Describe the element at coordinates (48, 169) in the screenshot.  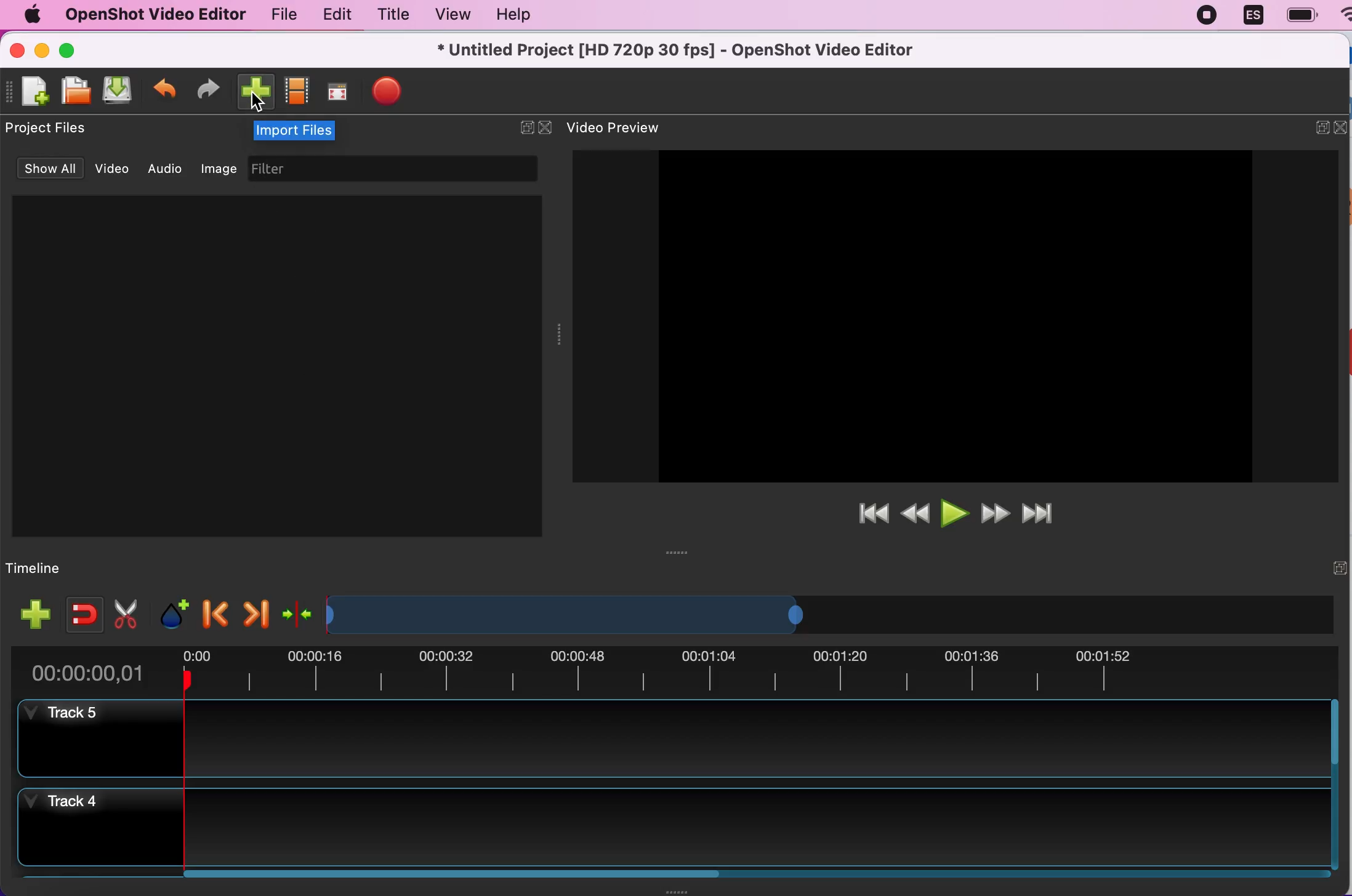
I see `show all` at that location.